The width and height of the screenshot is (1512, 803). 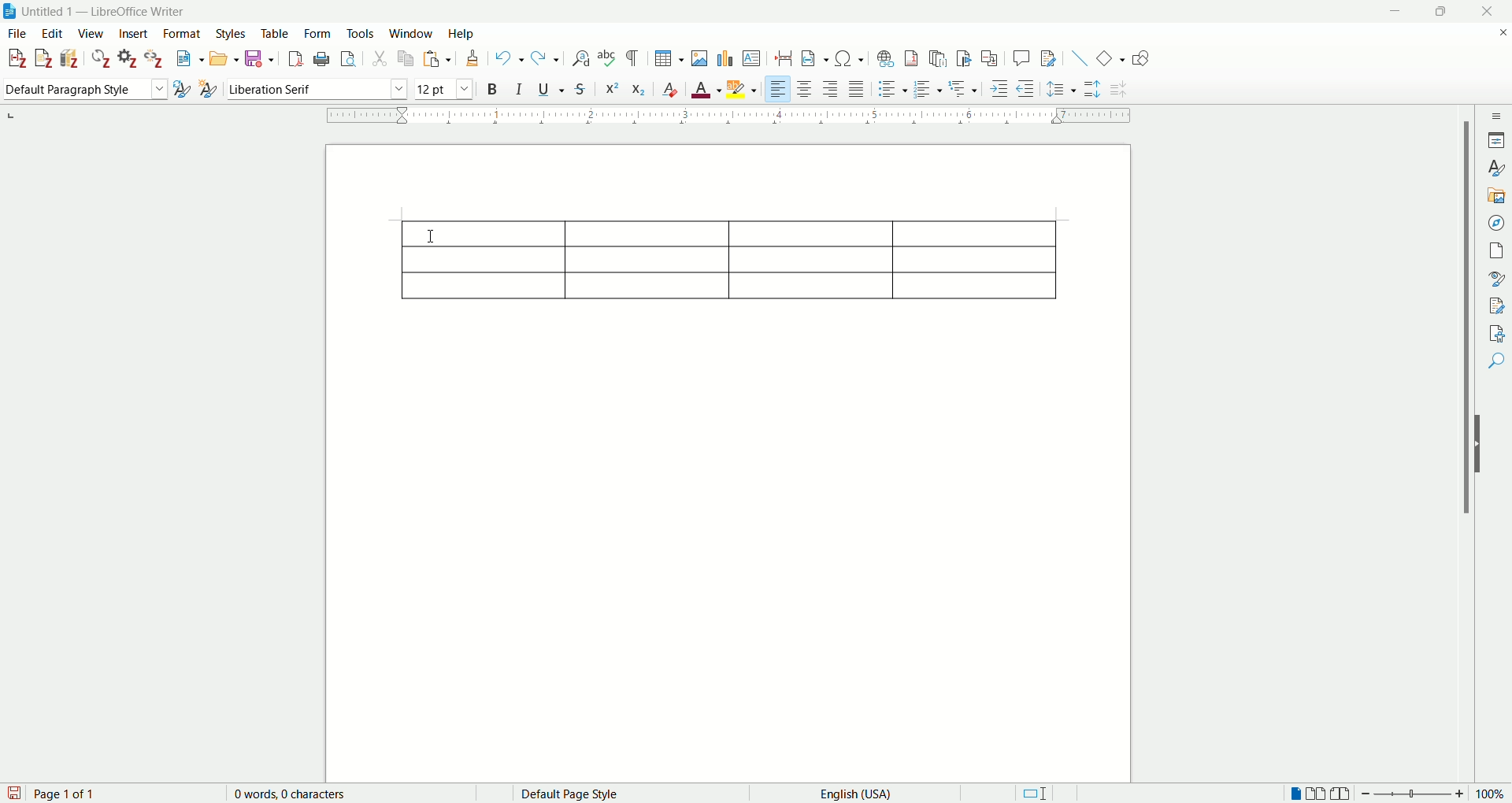 What do you see at coordinates (1495, 277) in the screenshot?
I see `style inspector` at bounding box center [1495, 277].